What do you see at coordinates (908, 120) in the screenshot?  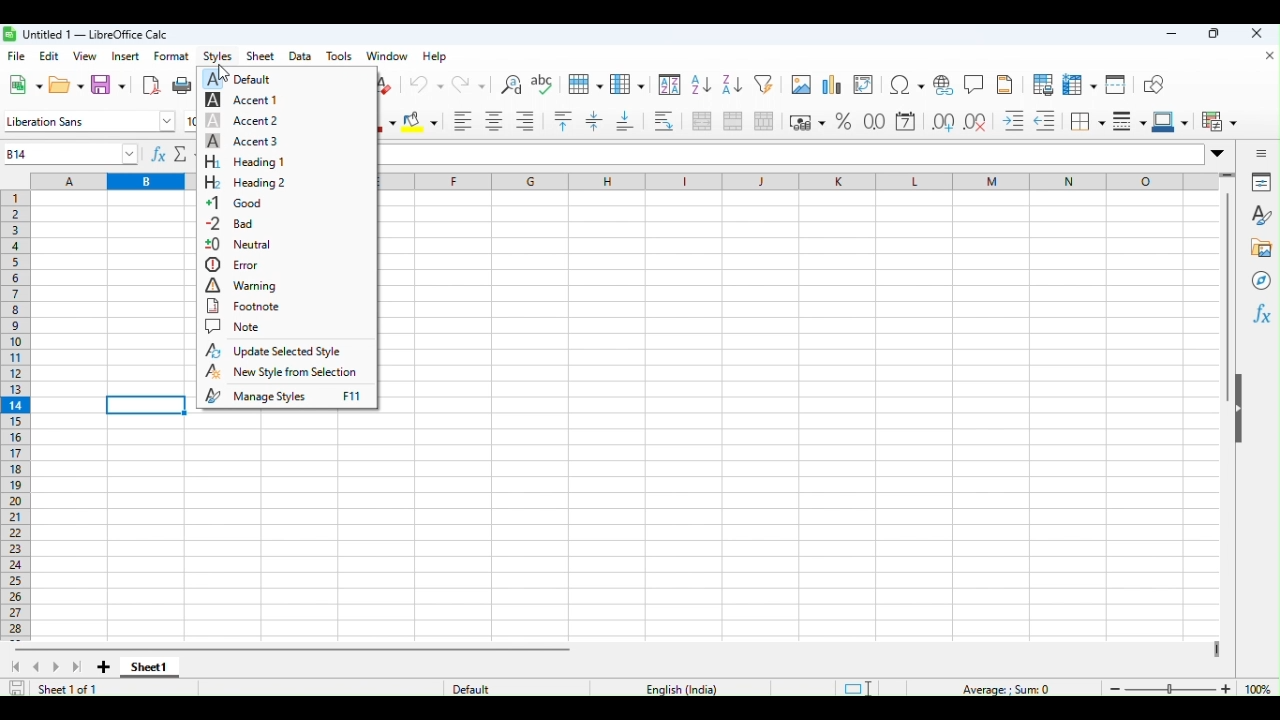 I see `Format as date` at bounding box center [908, 120].